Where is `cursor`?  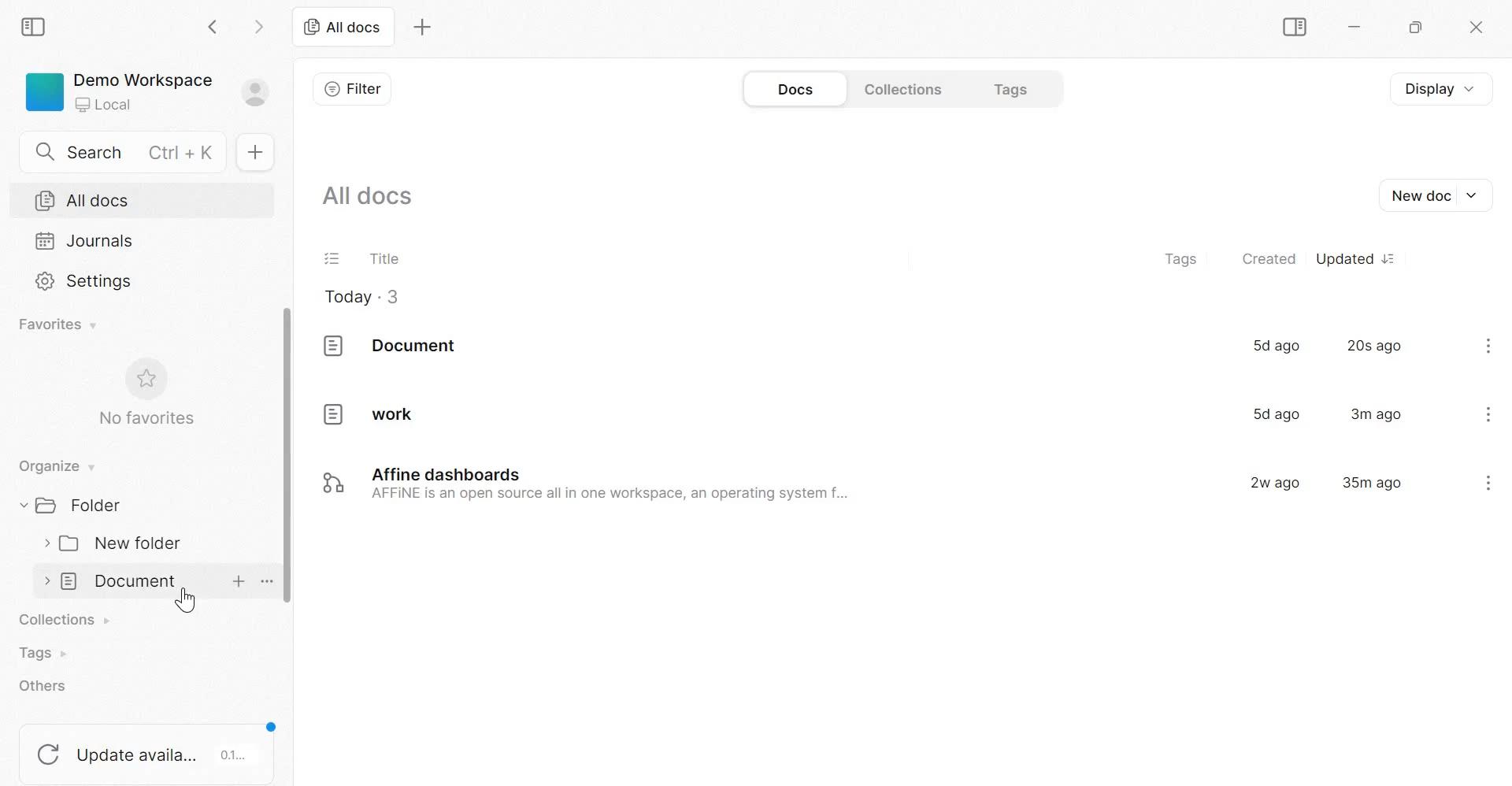
cursor is located at coordinates (187, 602).